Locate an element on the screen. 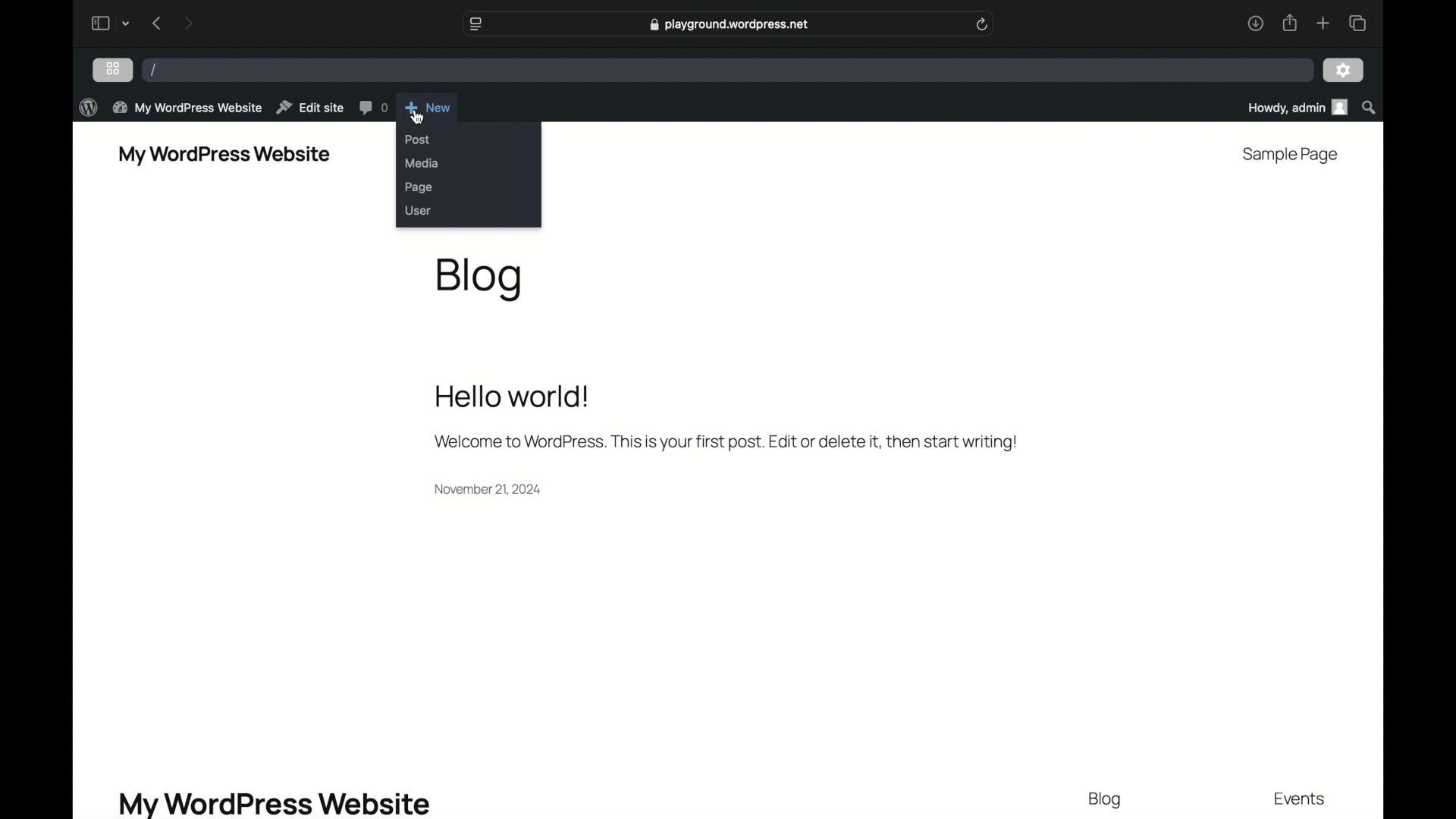 The height and width of the screenshot is (819, 1456). cursor is located at coordinates (418, 117).